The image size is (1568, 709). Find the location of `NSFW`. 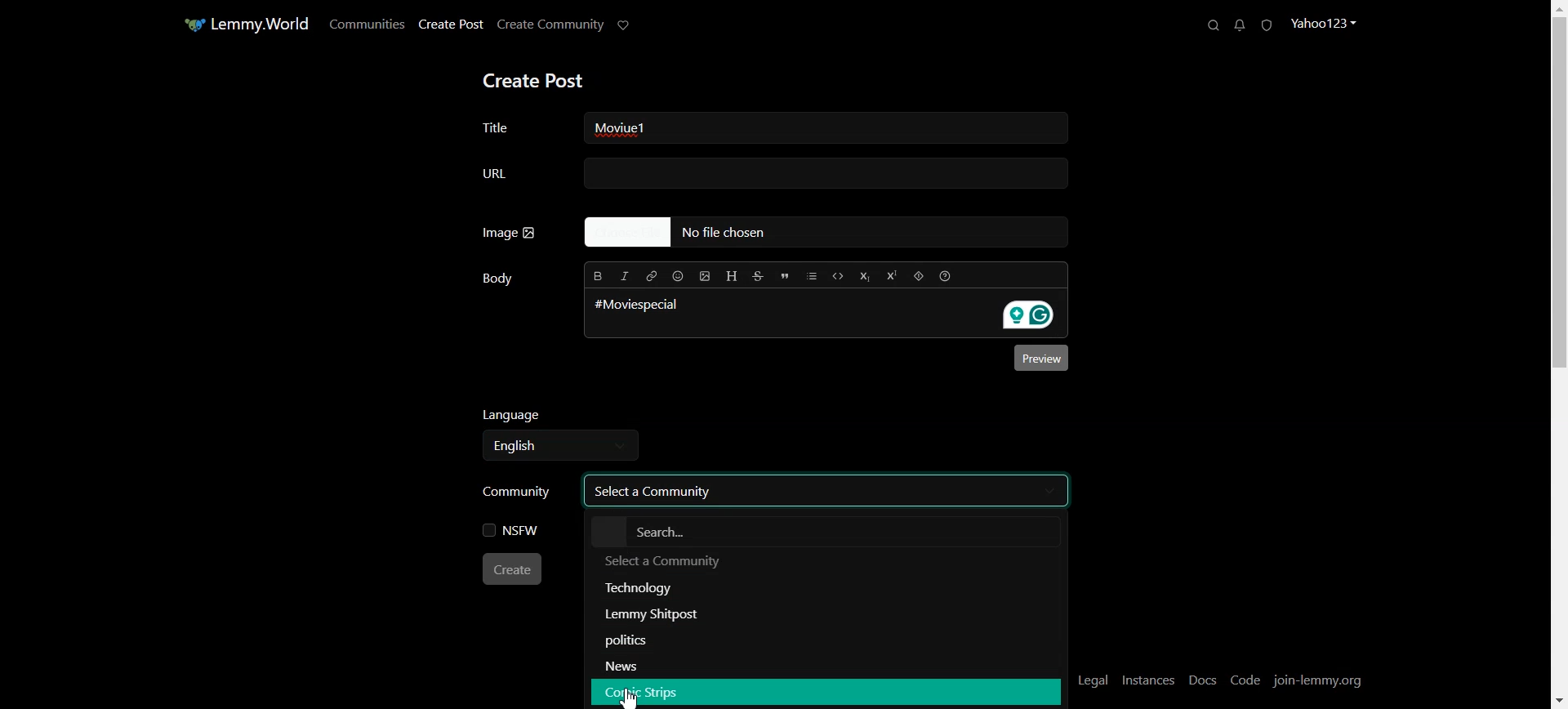

NSFW is located at coordinates (520, 531).